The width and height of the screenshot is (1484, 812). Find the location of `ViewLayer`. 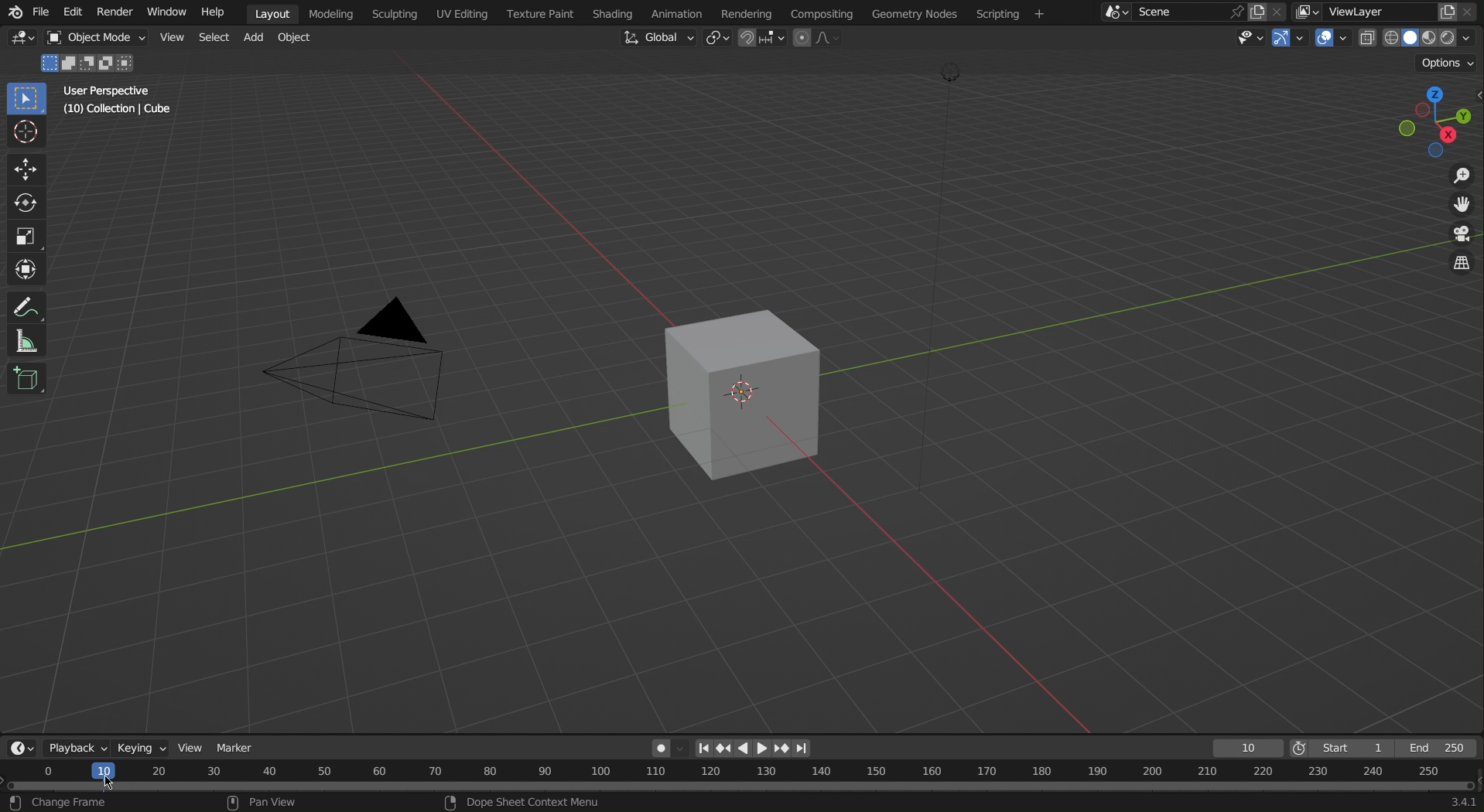

ViewLayer is located at coordinates (1374, 14).